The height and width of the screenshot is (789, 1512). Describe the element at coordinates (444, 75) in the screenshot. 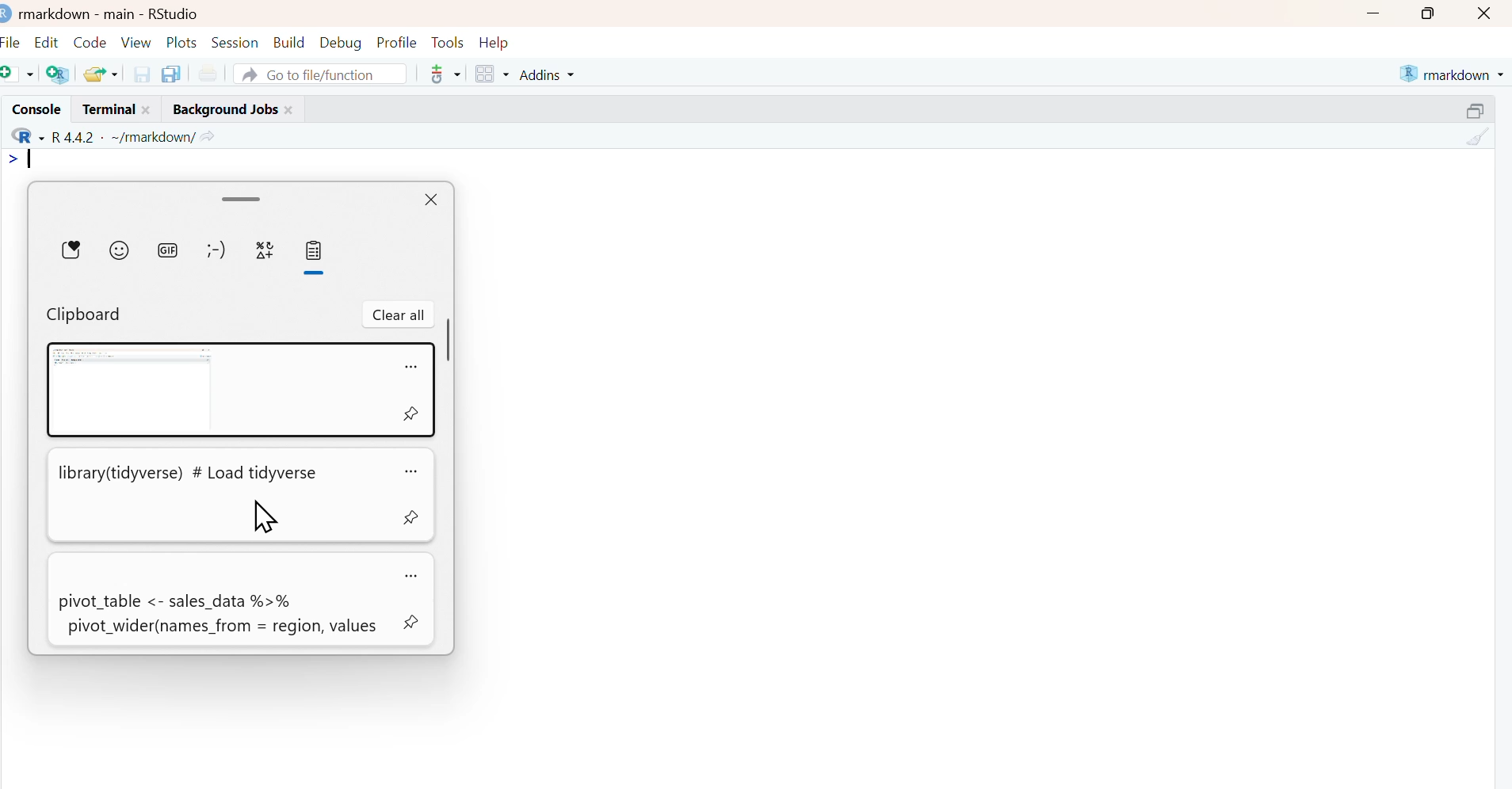

I see `Git` at that location.